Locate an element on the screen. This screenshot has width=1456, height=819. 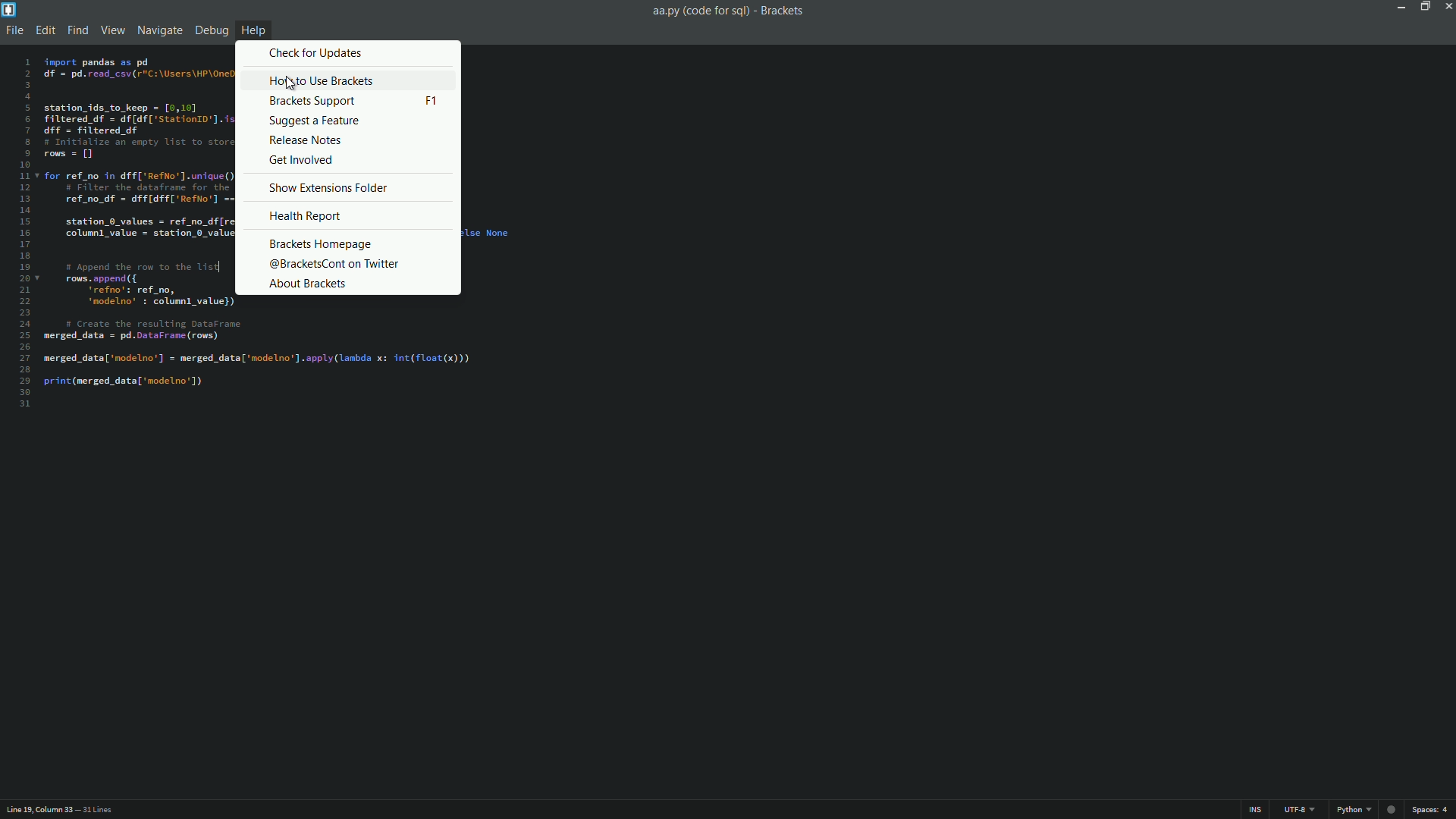
debug menu is located at coordinates (209, 31).